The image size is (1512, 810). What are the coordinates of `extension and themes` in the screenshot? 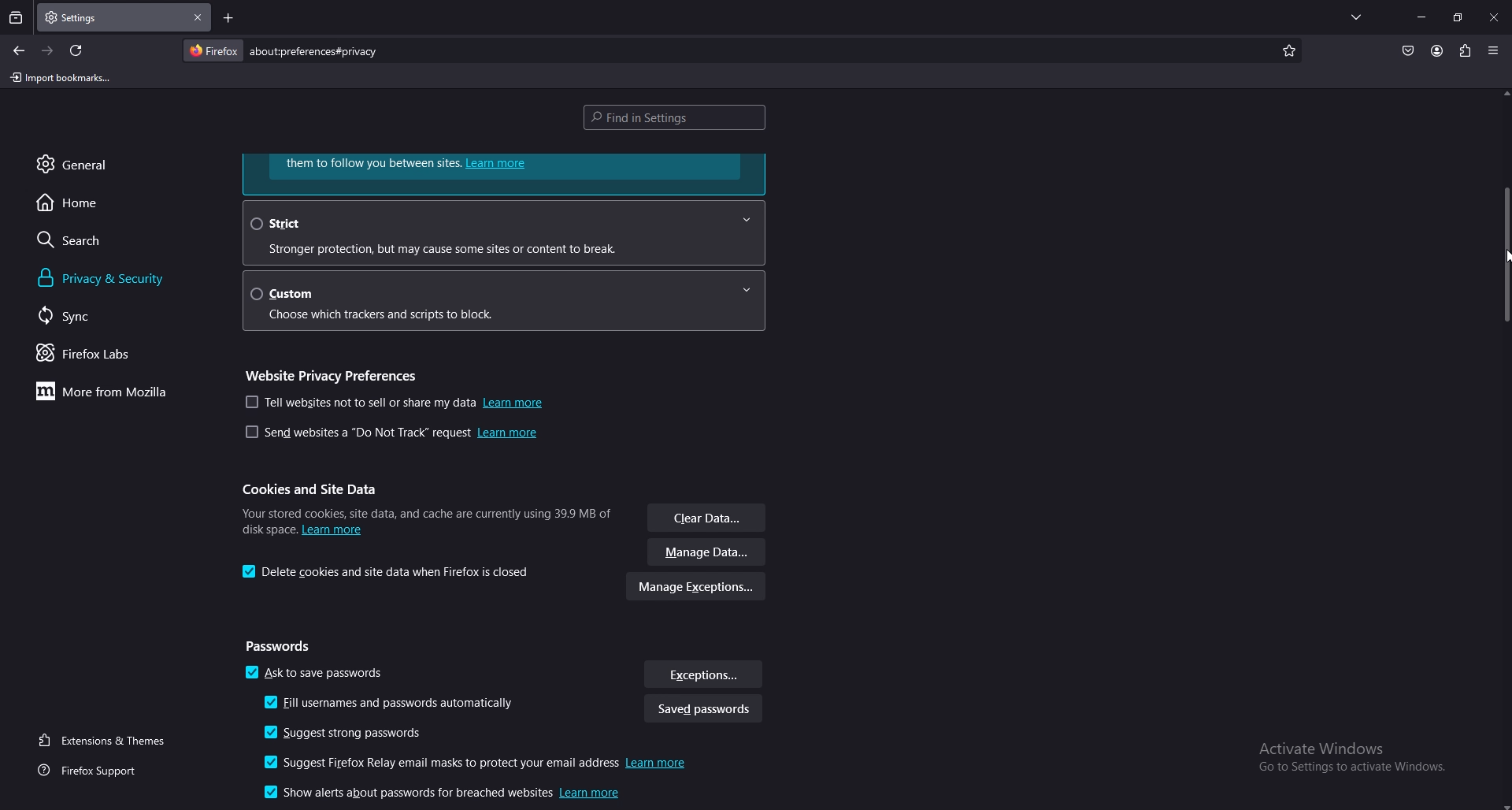 It's located at (105, 740).